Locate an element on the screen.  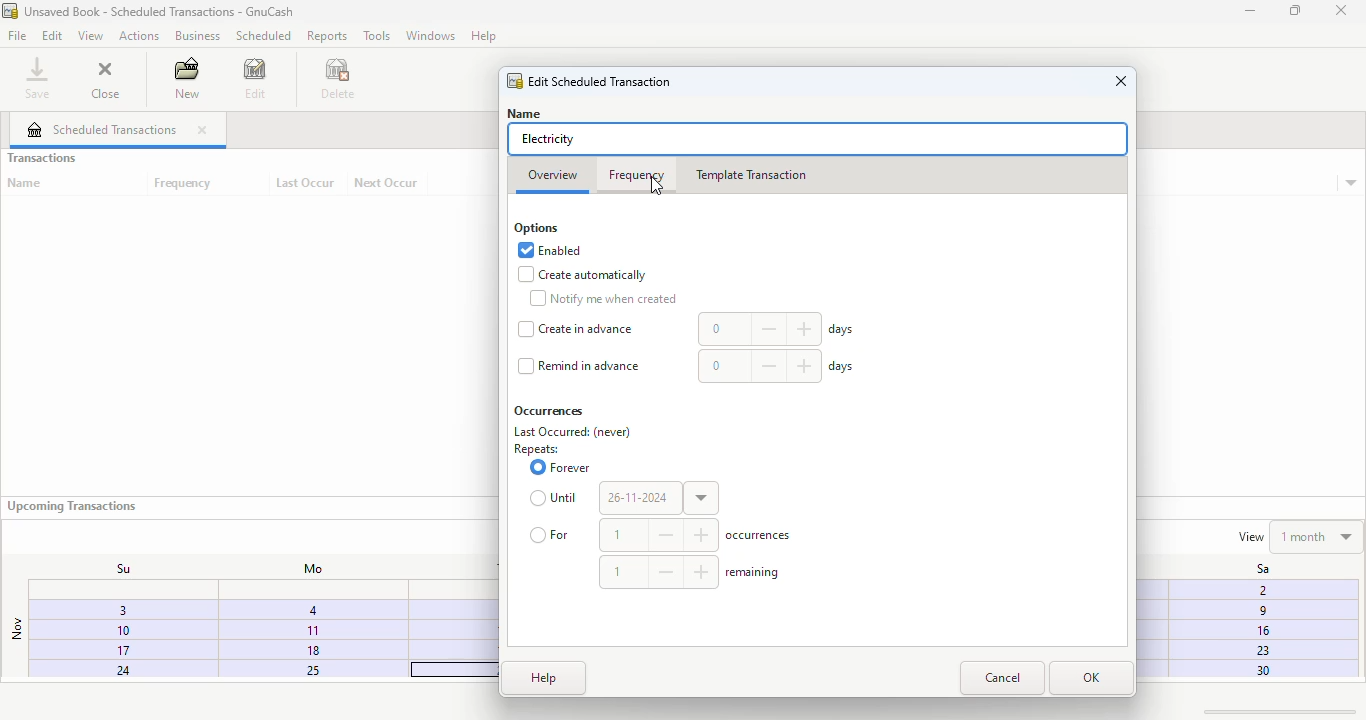
windows is located at coordinates (430, 35).